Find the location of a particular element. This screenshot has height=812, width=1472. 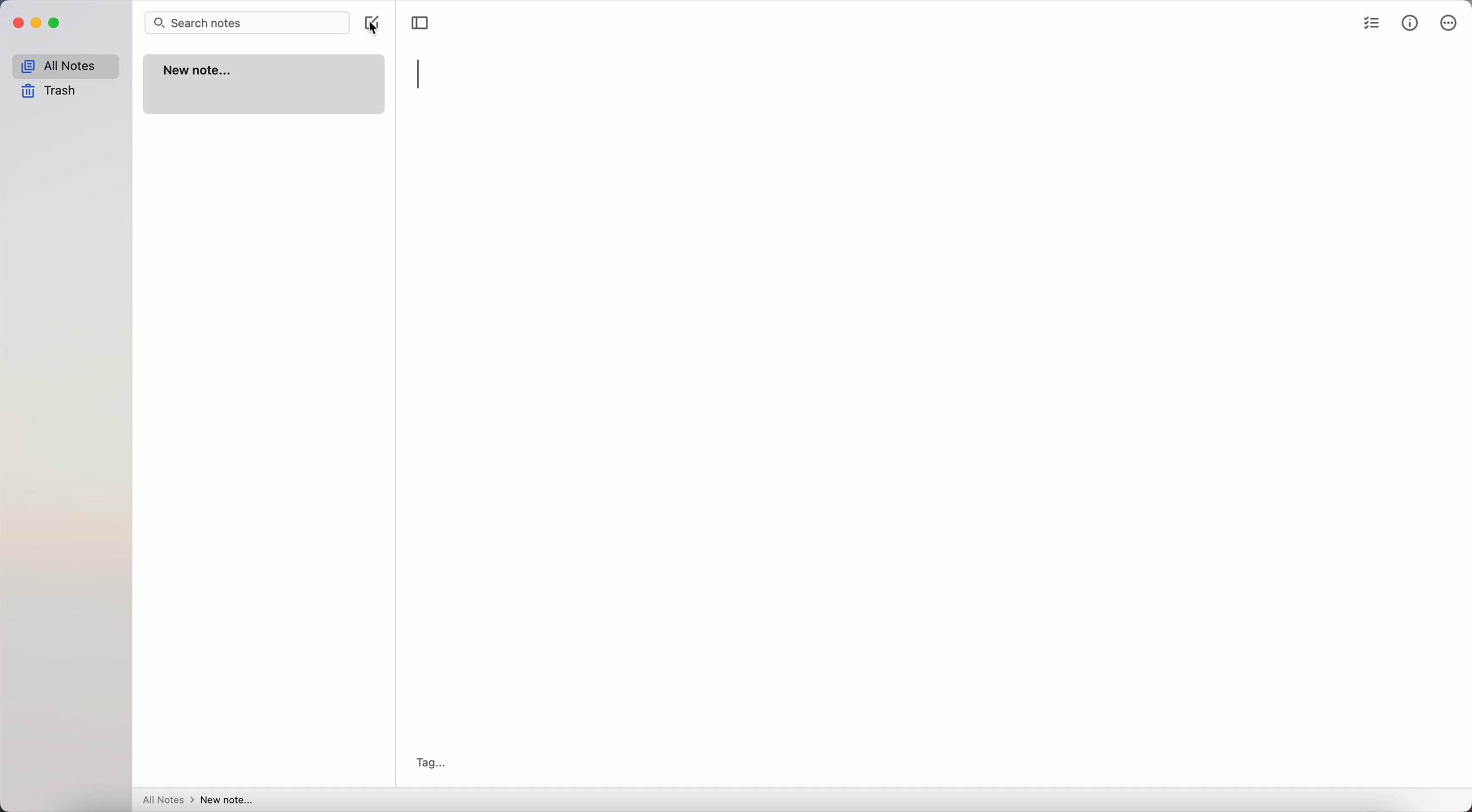

minimize is located at coordinates (36, 24).